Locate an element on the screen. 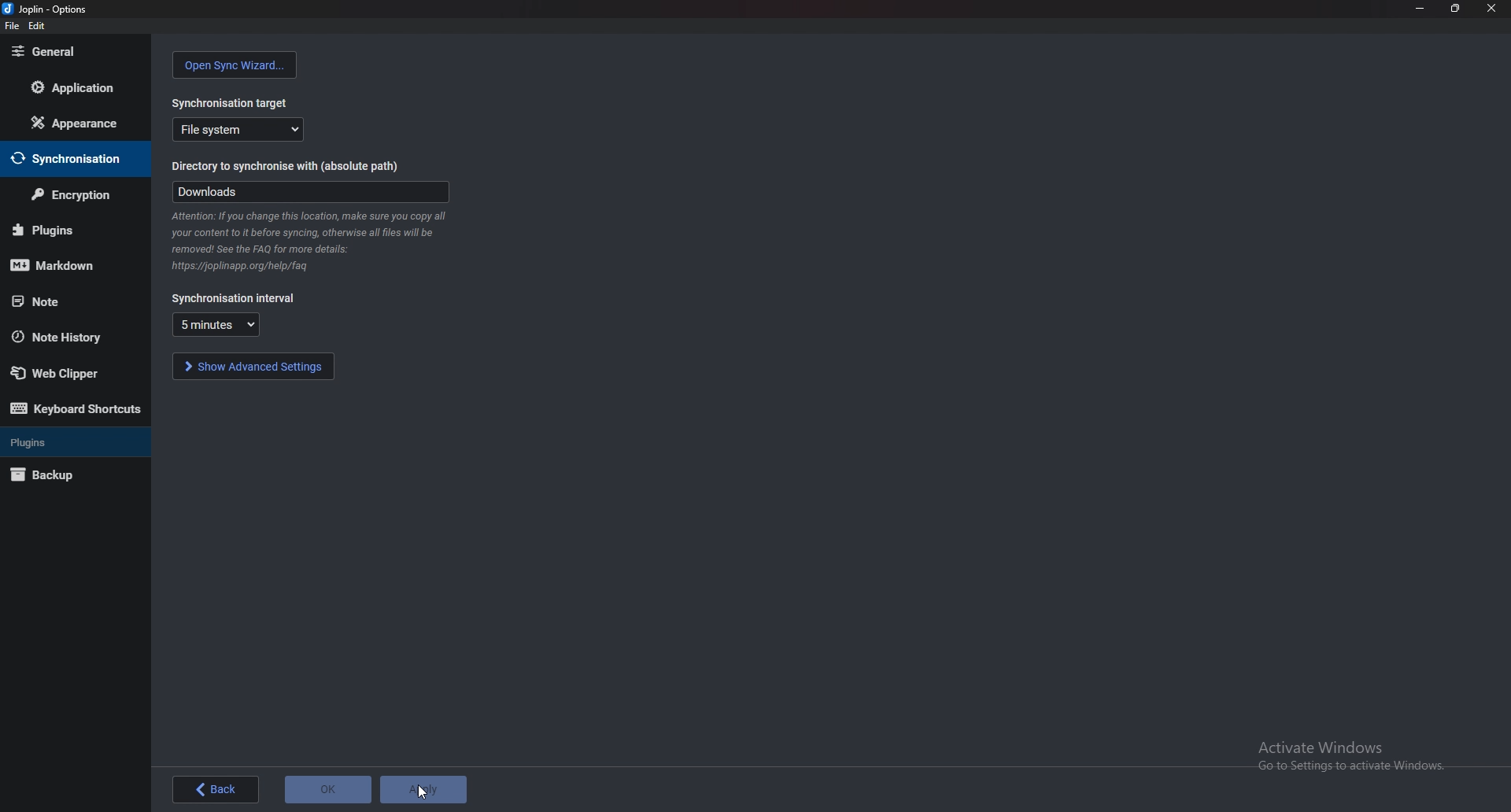 This screenshot has height=812, width=1511. note is located at coordinates (59, 301).